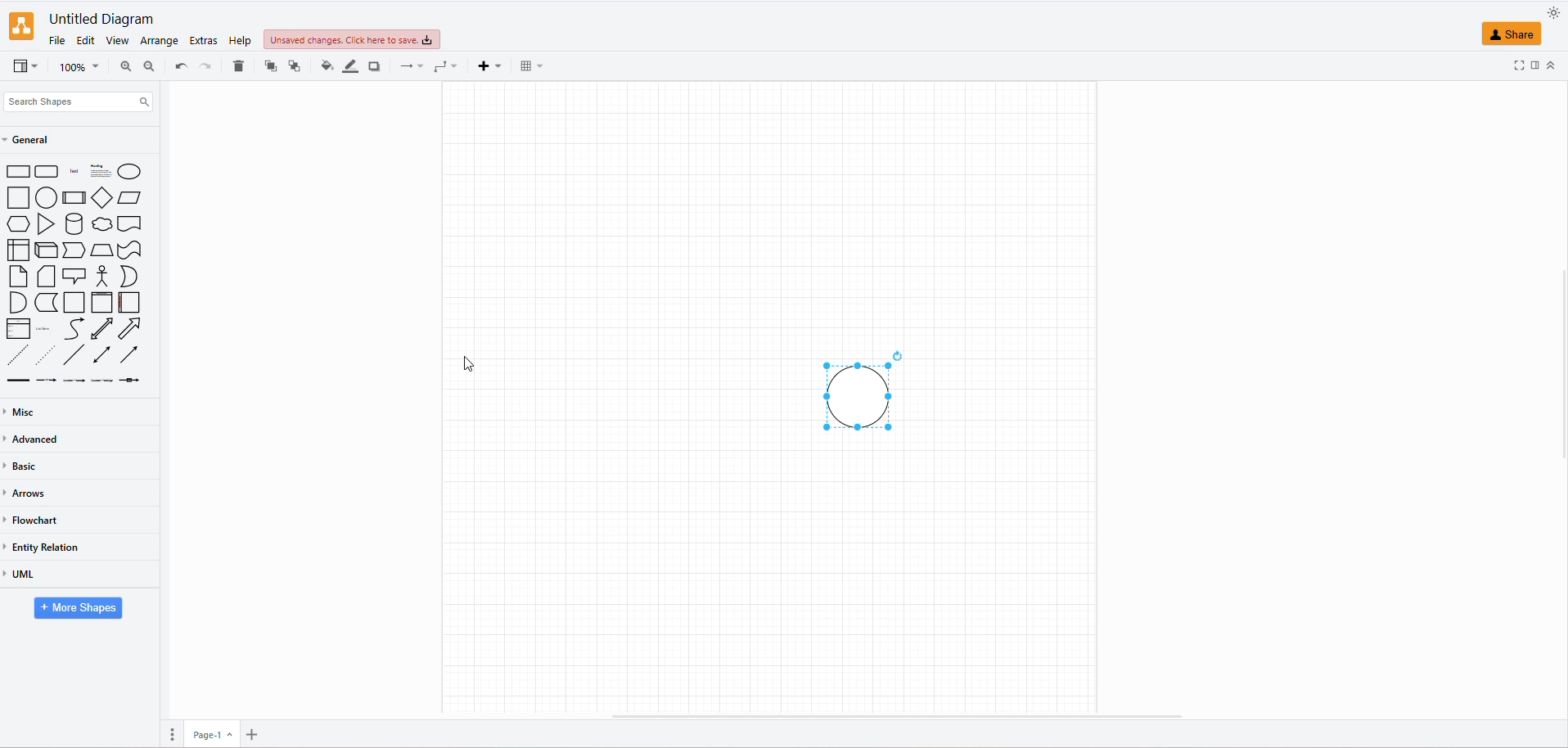 The height and width of the screenshot is (748, 1568). Describe the element at coordinates (1553, 65) in the screenshot. I see `COLLAPSE` at that location.